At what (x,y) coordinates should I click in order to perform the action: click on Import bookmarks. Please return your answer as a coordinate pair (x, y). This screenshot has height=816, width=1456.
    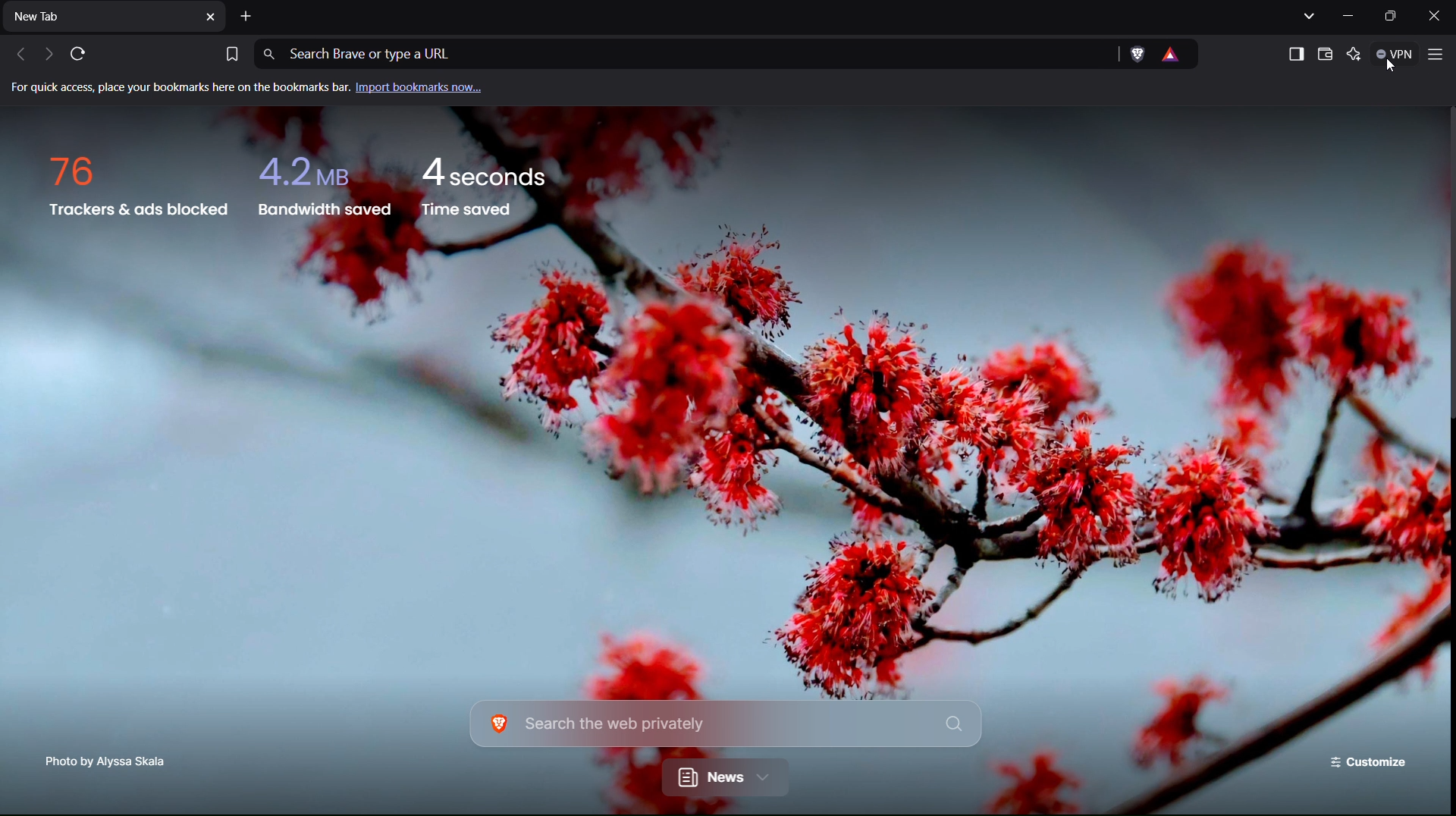
    Looking at the image, I should click on (257, 93).